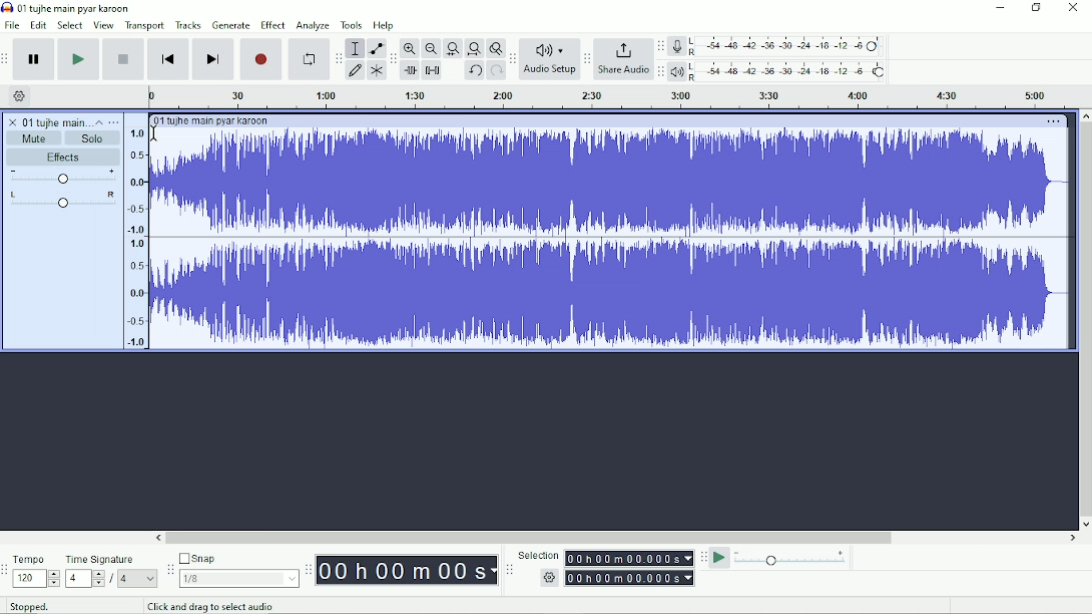 This screenshot has height=614, width=1092. I want to click on 4, so click(85, 579).